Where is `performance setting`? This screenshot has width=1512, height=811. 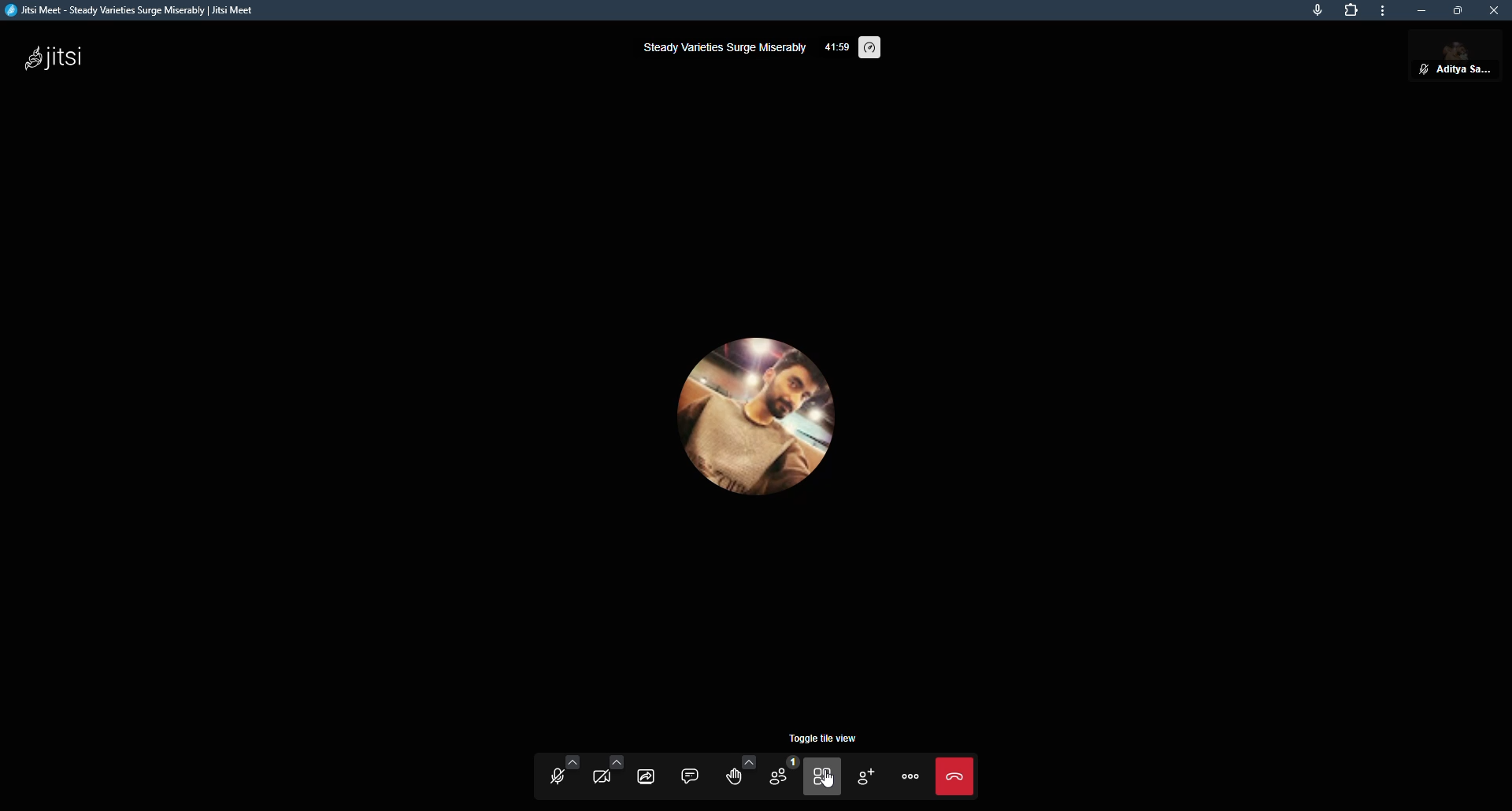 performance setting is located at coordinates (872, 48).